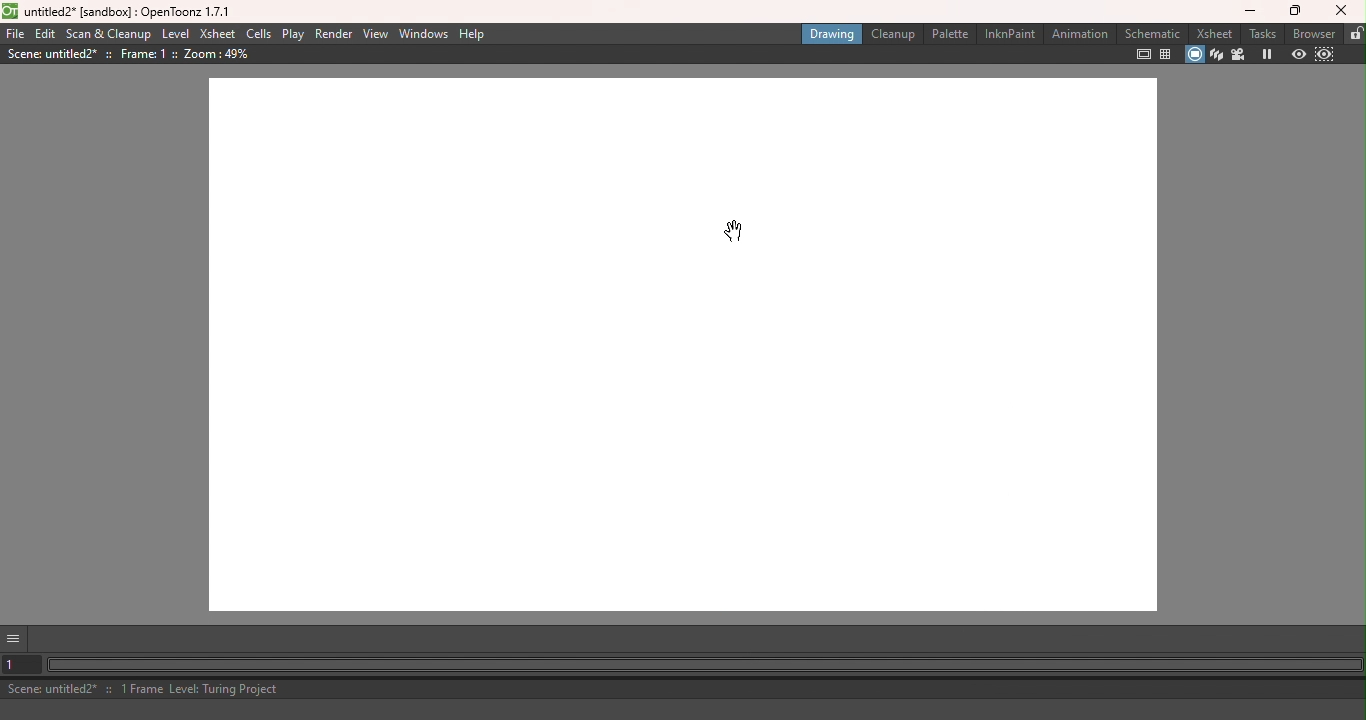 The image size is (1366, 720). What do you see at coordinates (20, 667) in the screenshot?
I see `Set the current frame` at bounding box center [20, 667].